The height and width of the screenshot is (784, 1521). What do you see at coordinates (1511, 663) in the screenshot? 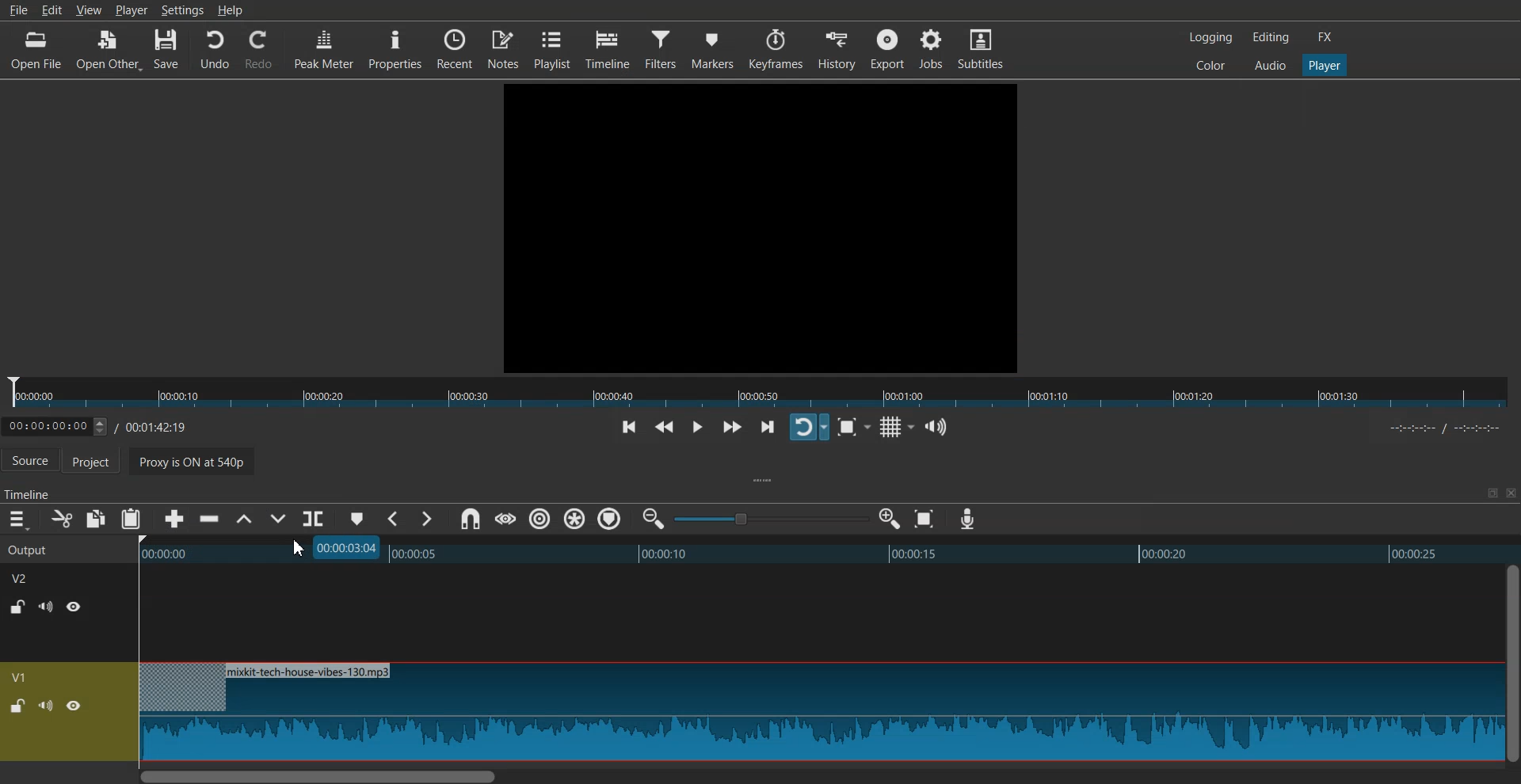
I see `Vertical Scroll bar` at bounding box center [1511, 663].